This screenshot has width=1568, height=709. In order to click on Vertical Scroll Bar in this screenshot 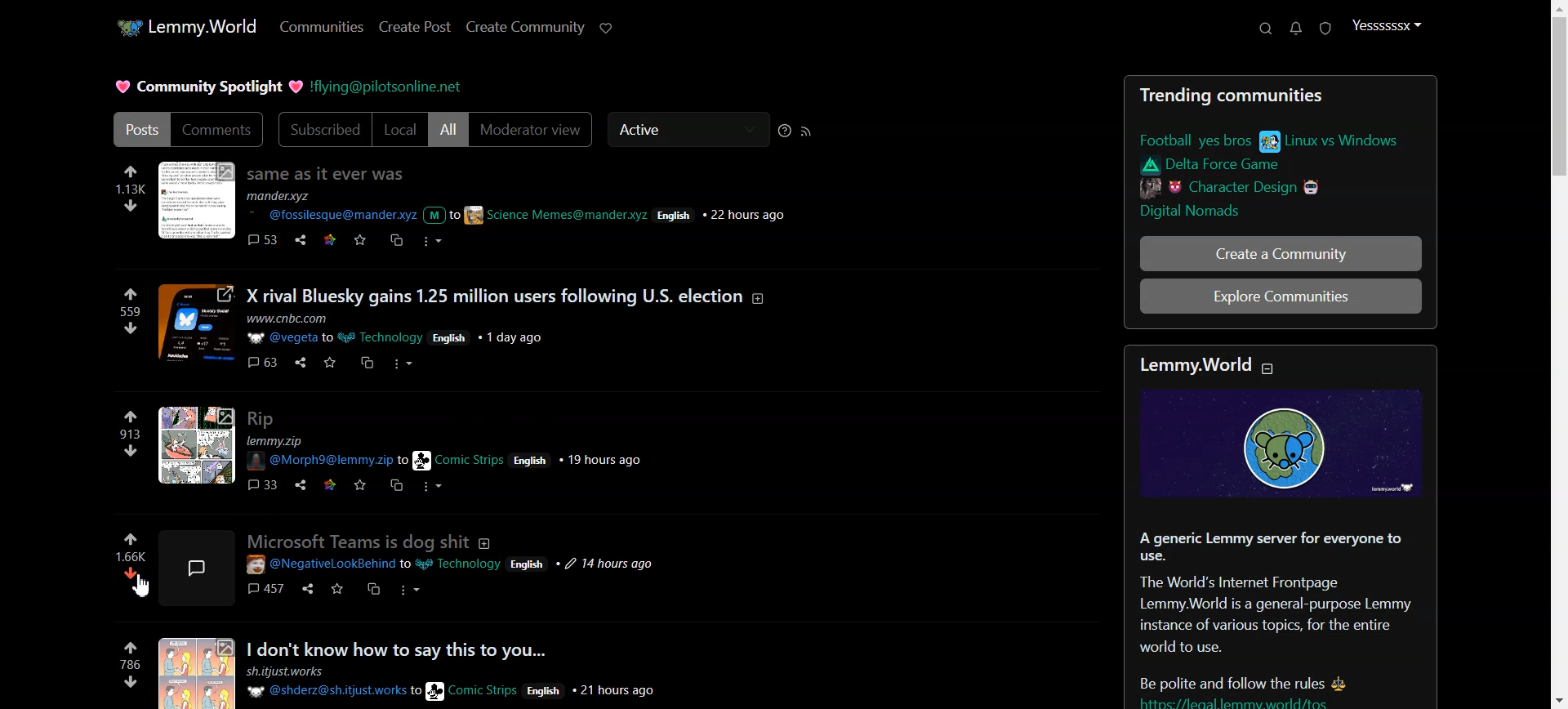, I will do `click(1558, 354)`.